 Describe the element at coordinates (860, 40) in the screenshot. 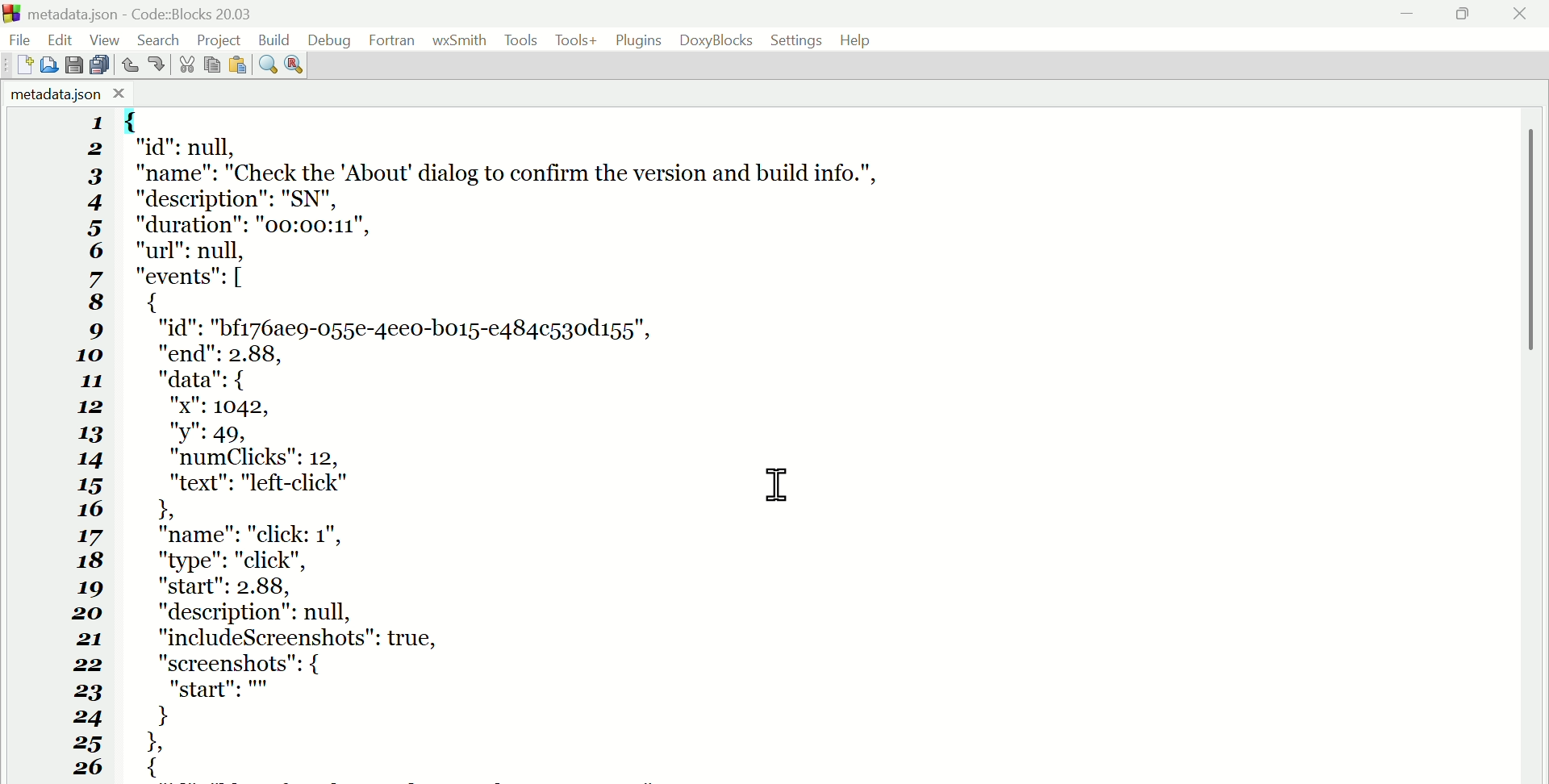

I see `Help` at that location.